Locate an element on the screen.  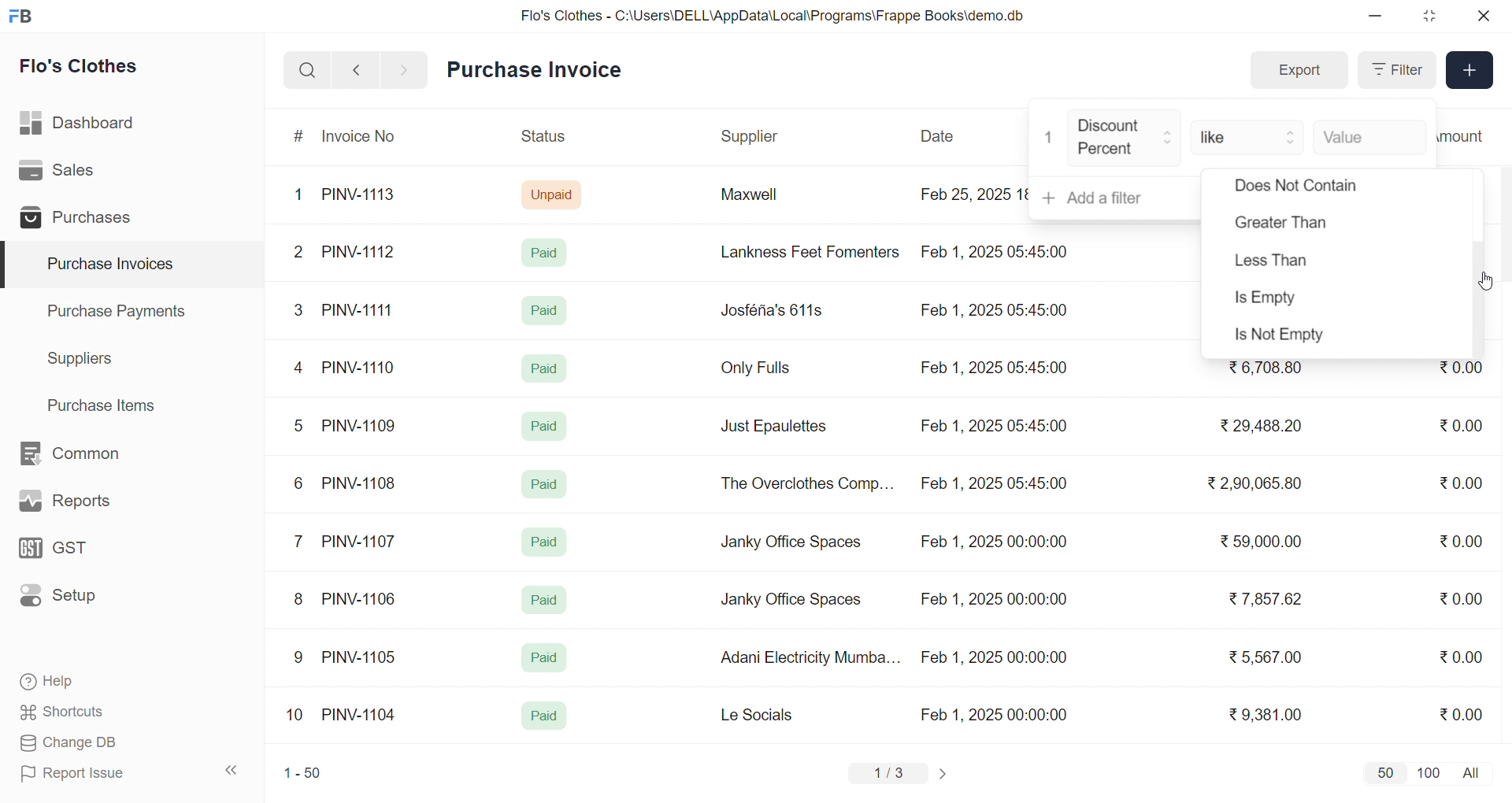
Purchase Payments is located at coordinates (121, 310).